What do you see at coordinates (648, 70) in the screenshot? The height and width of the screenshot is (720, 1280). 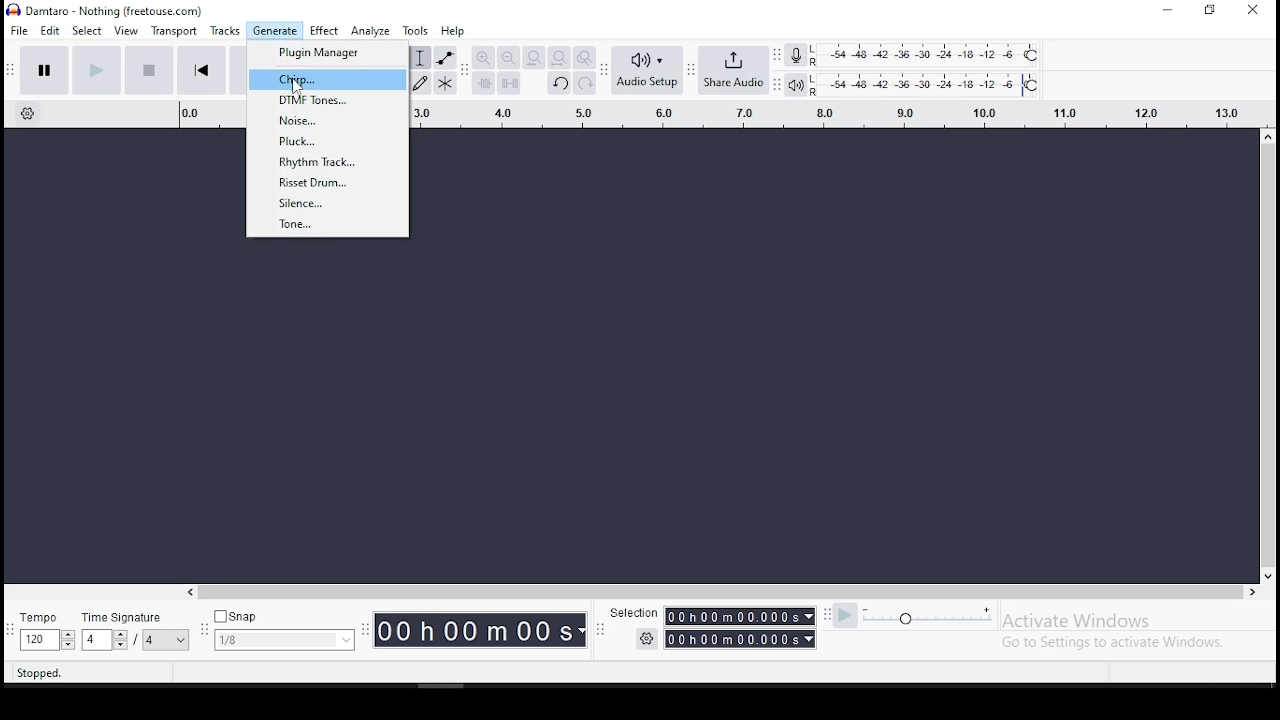 I see `audio setup` at bounding box center [648, 70].